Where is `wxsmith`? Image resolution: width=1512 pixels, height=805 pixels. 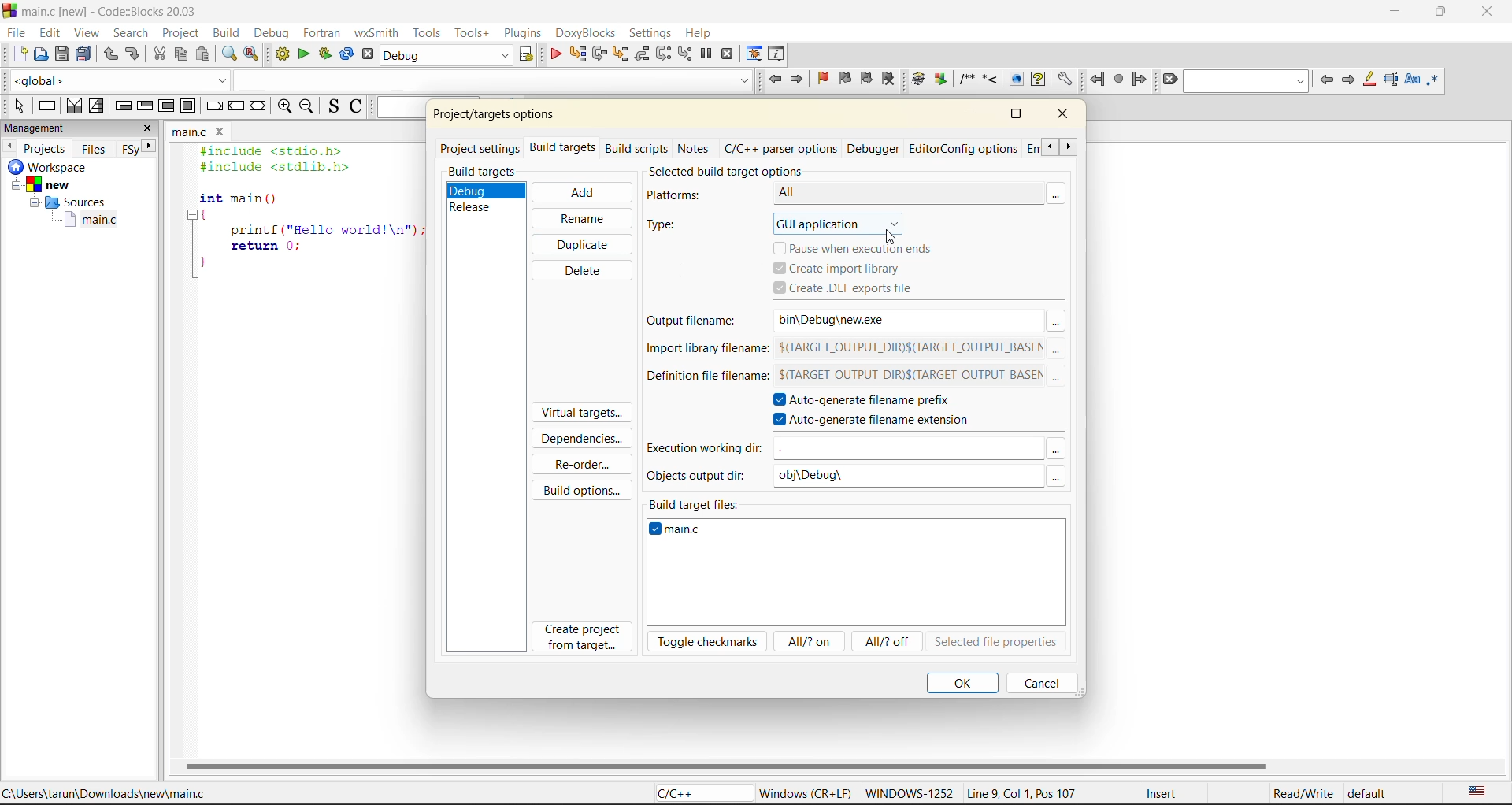
wxsmith is located at coordinates (374, 35).